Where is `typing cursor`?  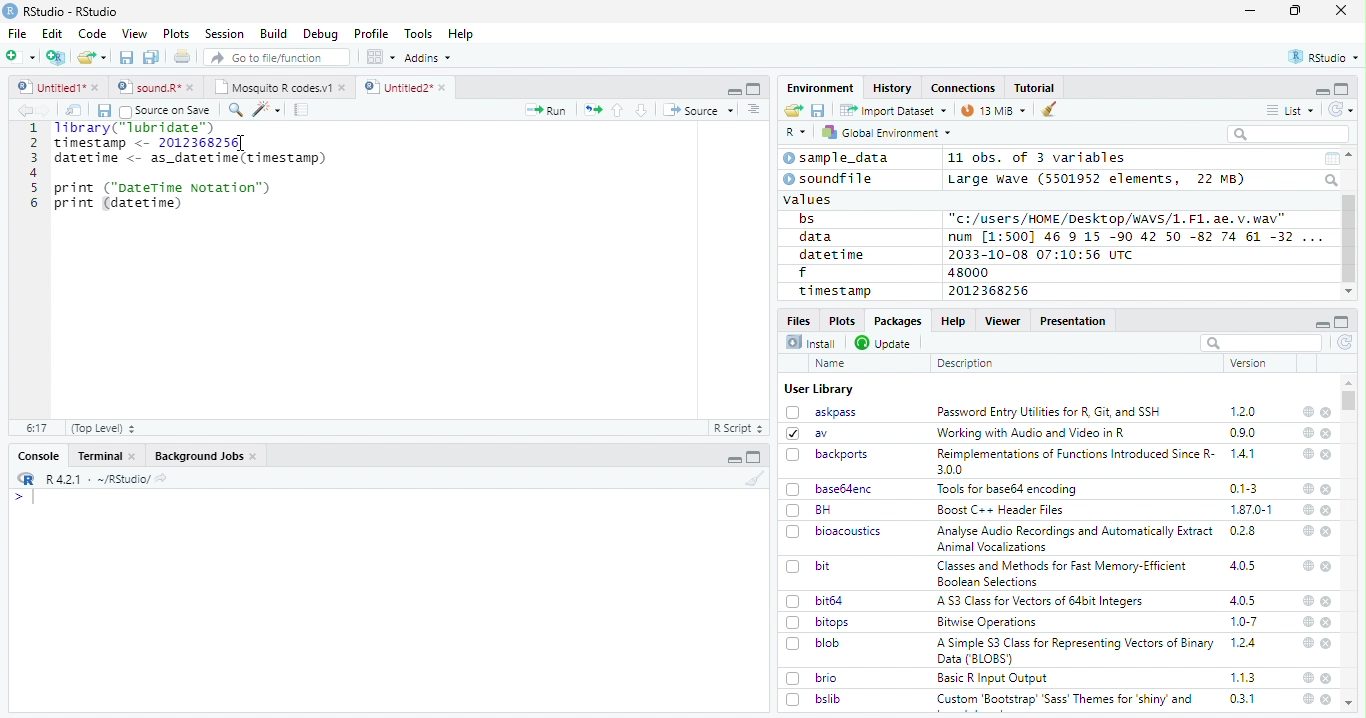
typing cursor is located at coordinates (24, 497).